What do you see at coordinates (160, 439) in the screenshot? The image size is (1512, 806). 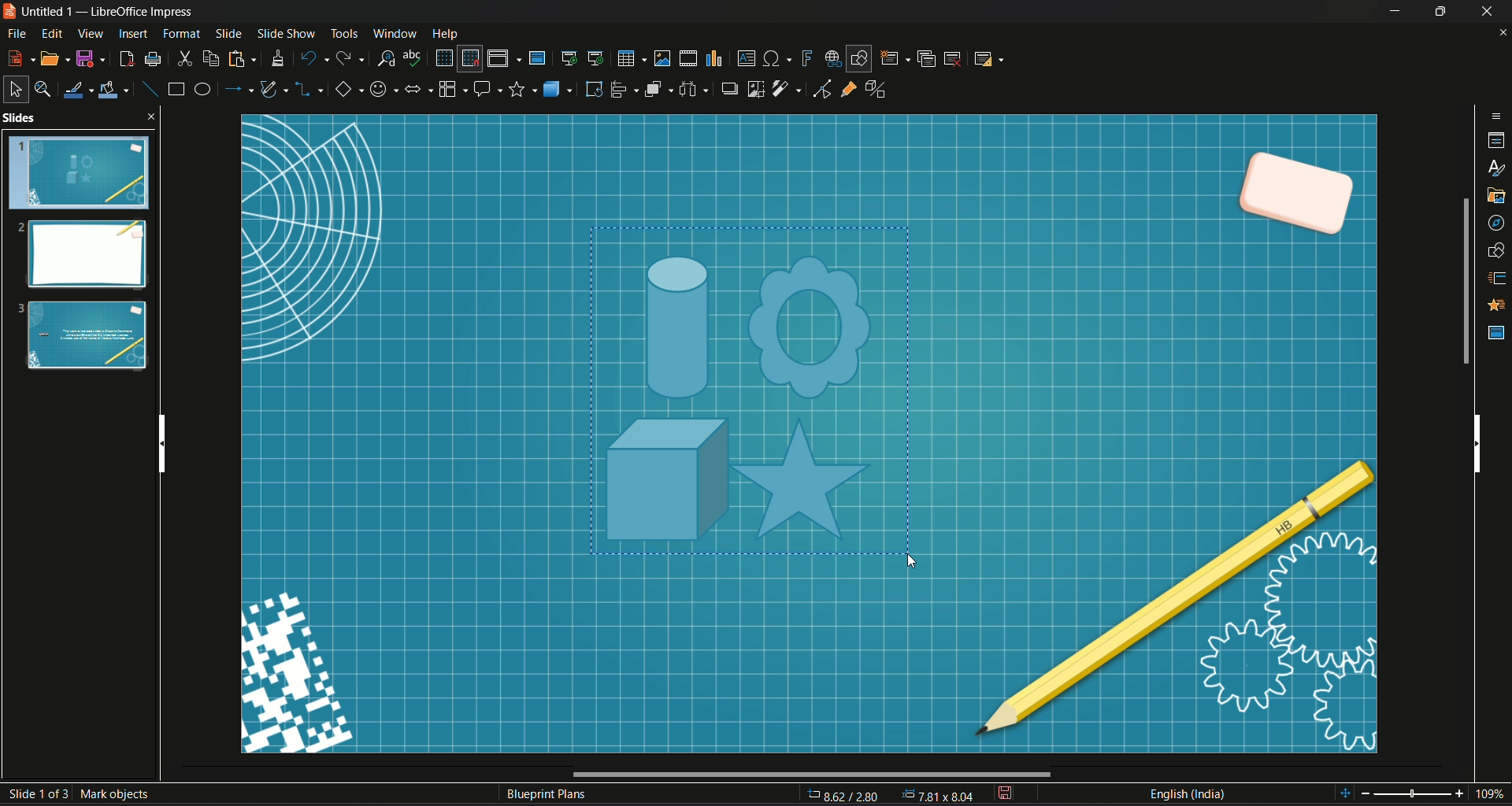 I see `Vertical scroll bar` at bounding box center [160, 439].